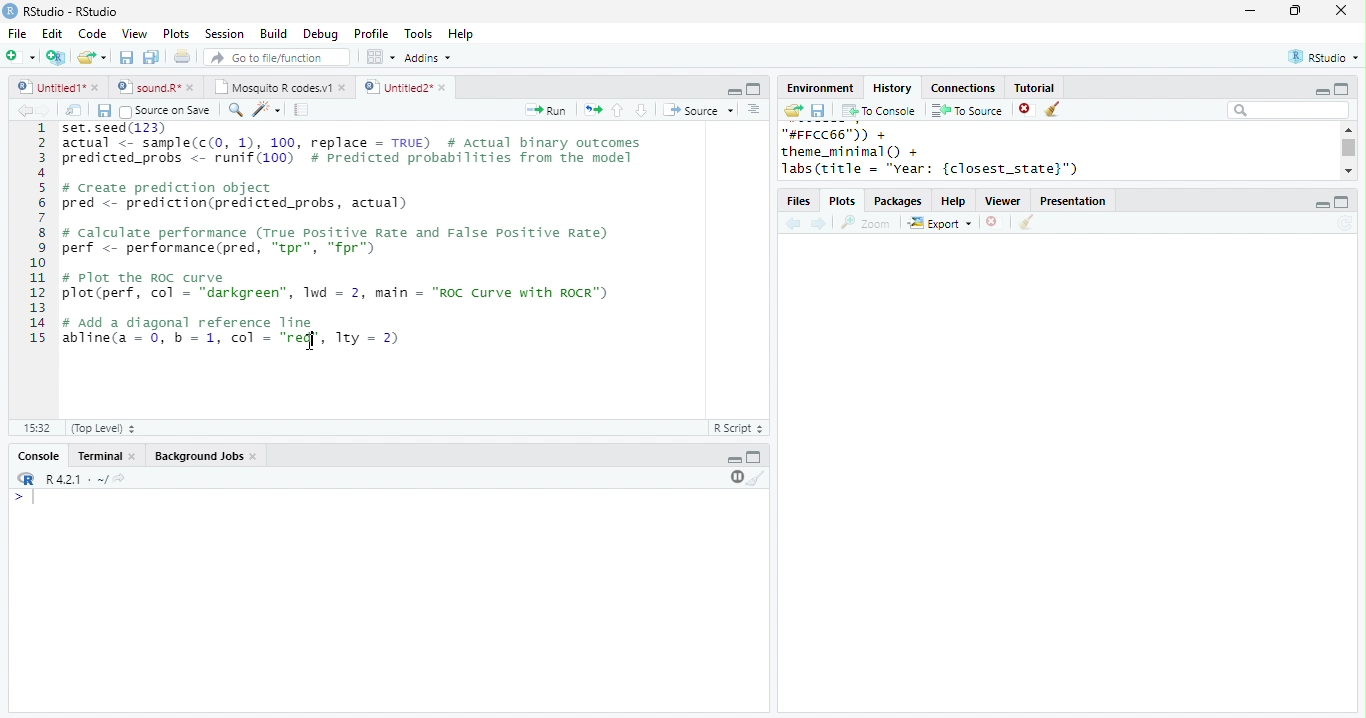  What do you see at coordinates (1347, 129) in the screenshot?
I see `scroll up` at bounding box center [1347, 129].